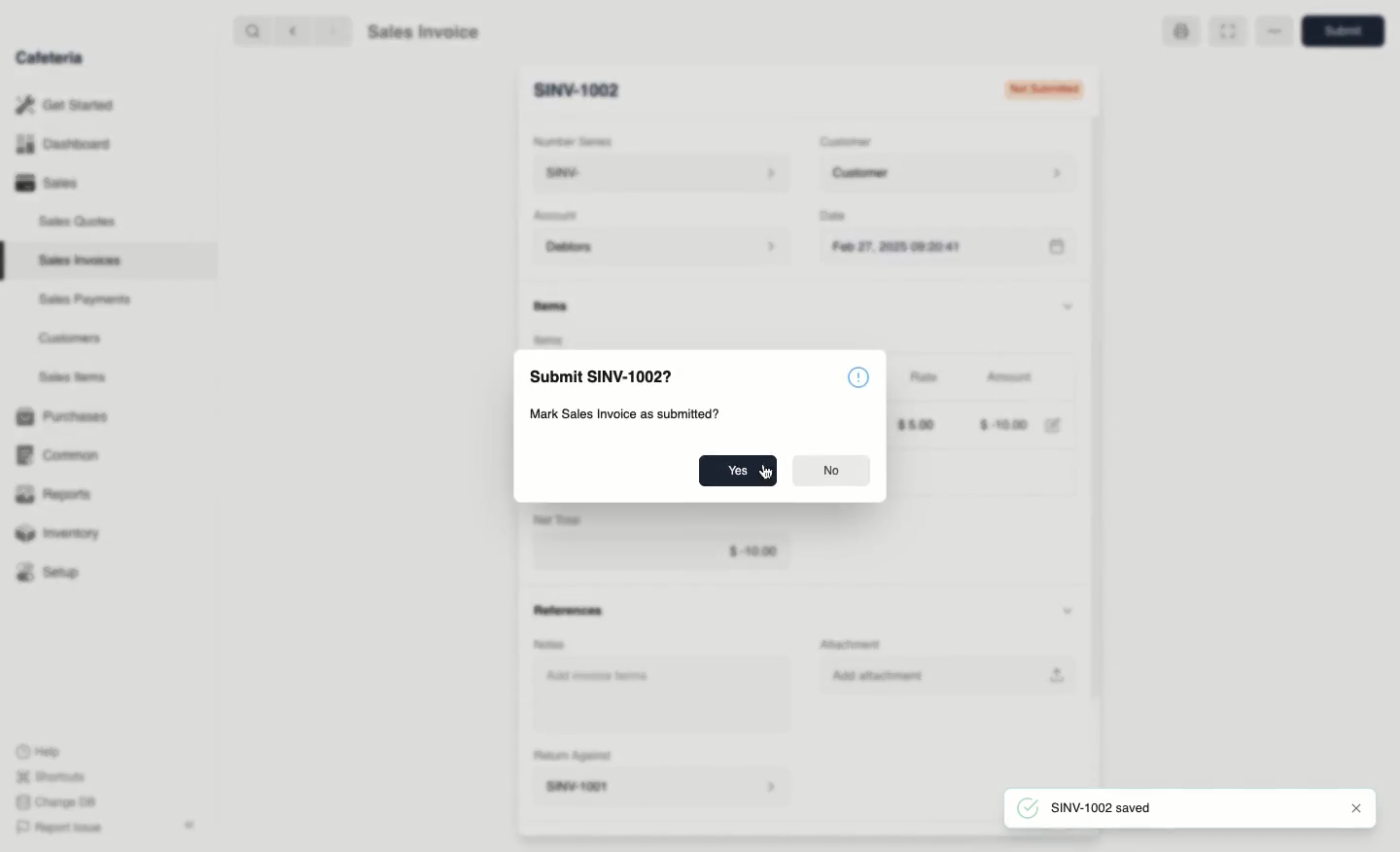  What do you see at coordinates (625, 414) in the screenshot?
I see `Mark Sales Invoice as submitted?` at bounding box center [625, 414].